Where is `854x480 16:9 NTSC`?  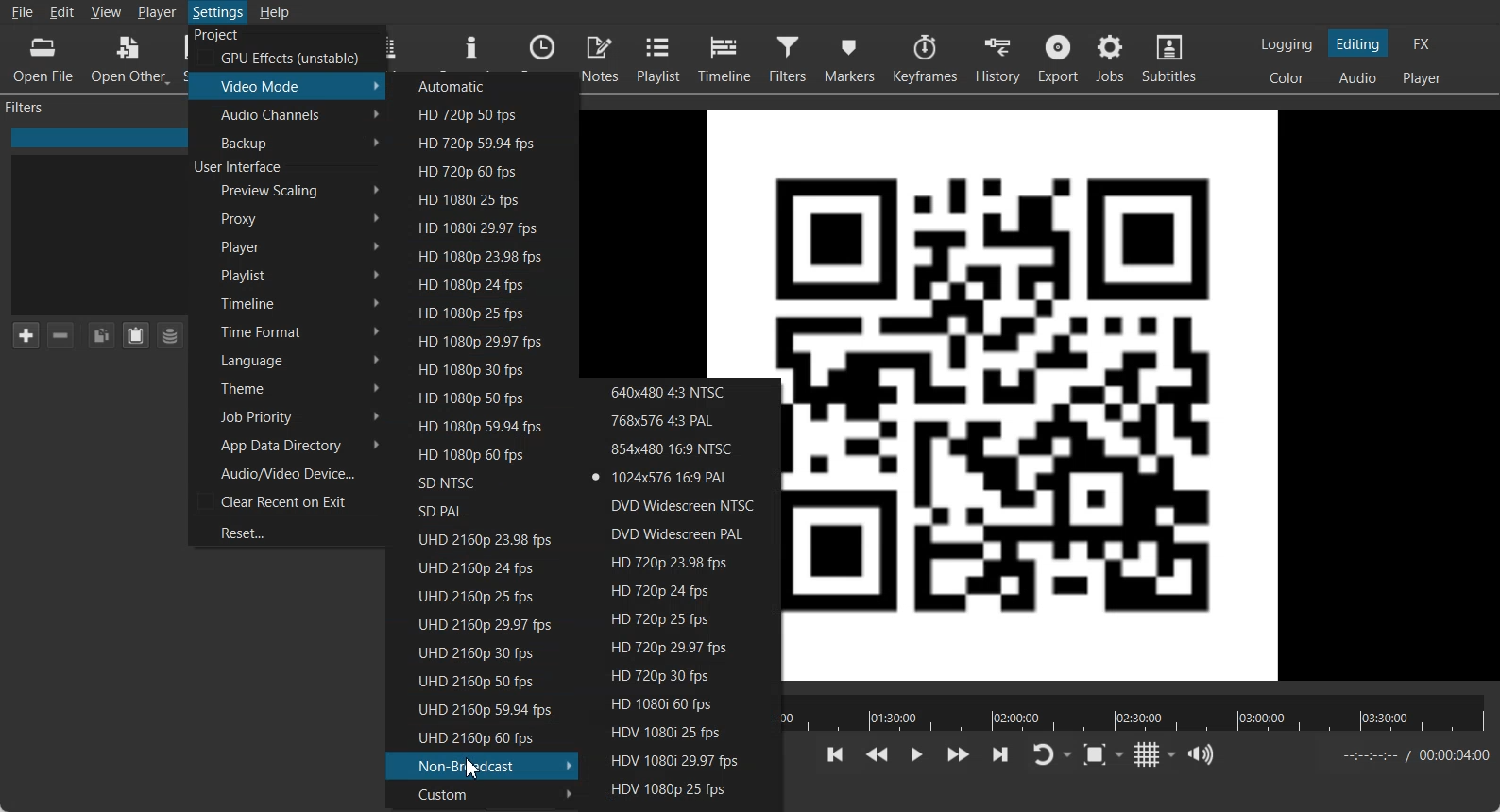 854x480 16:9 NTSC is located at coordinates (680, 448).